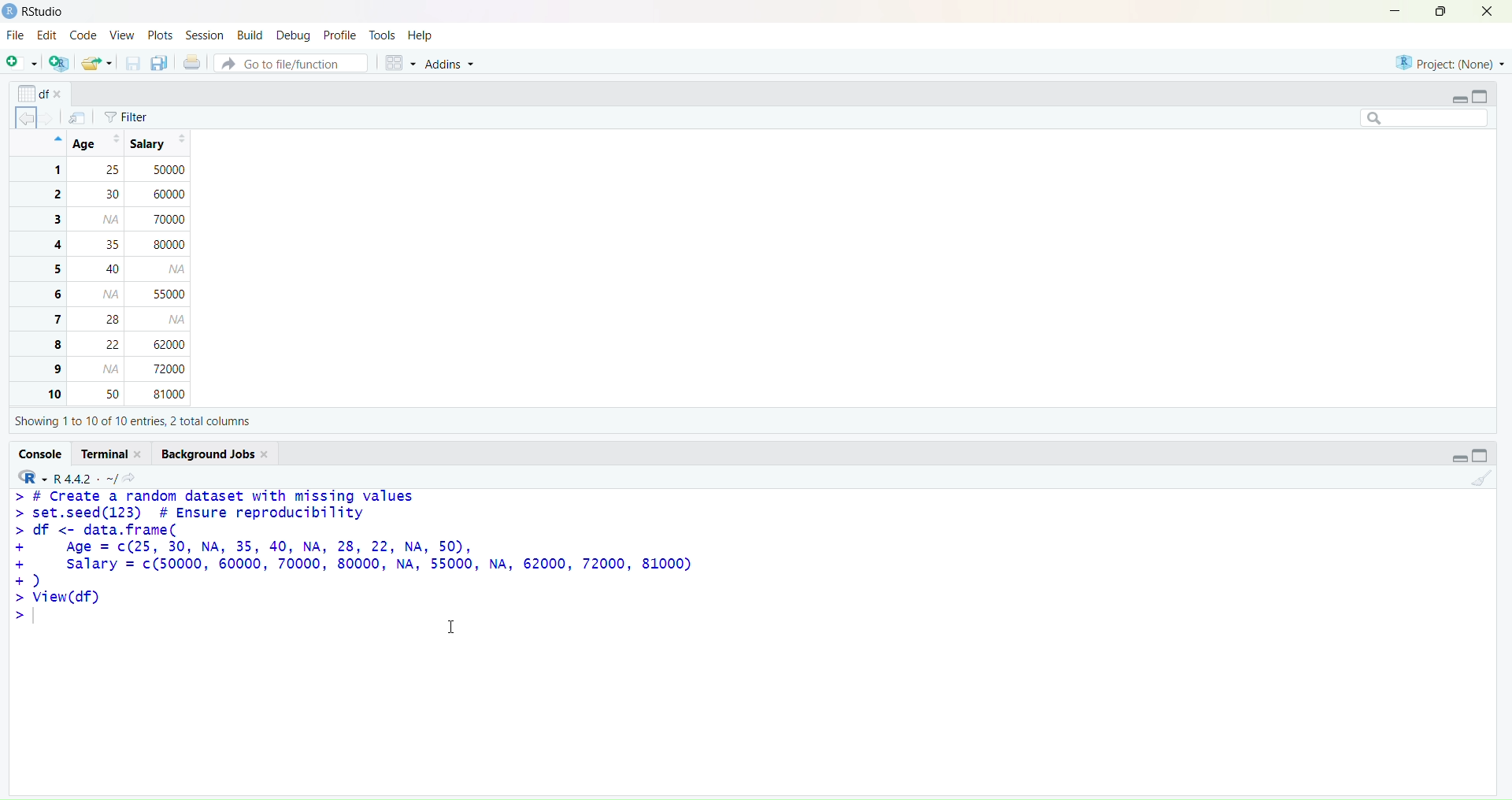 The width and height of the screenshot is (1512, 800). Describe the element at coordinates (392, 557) in the screenshot. I see `> # Create a random dataset with missing values> set.seed(123) # Ensure reproducibility> df <- data.frame(+ Age = c(25, 30, NA, 35, 40, NA, 28, 22, NA, 50),+ salary = c(50000, 60000, 70000, 80000, NA, 55000, NA, 62000, 72000, 81000)+)> view(df)` at that location.